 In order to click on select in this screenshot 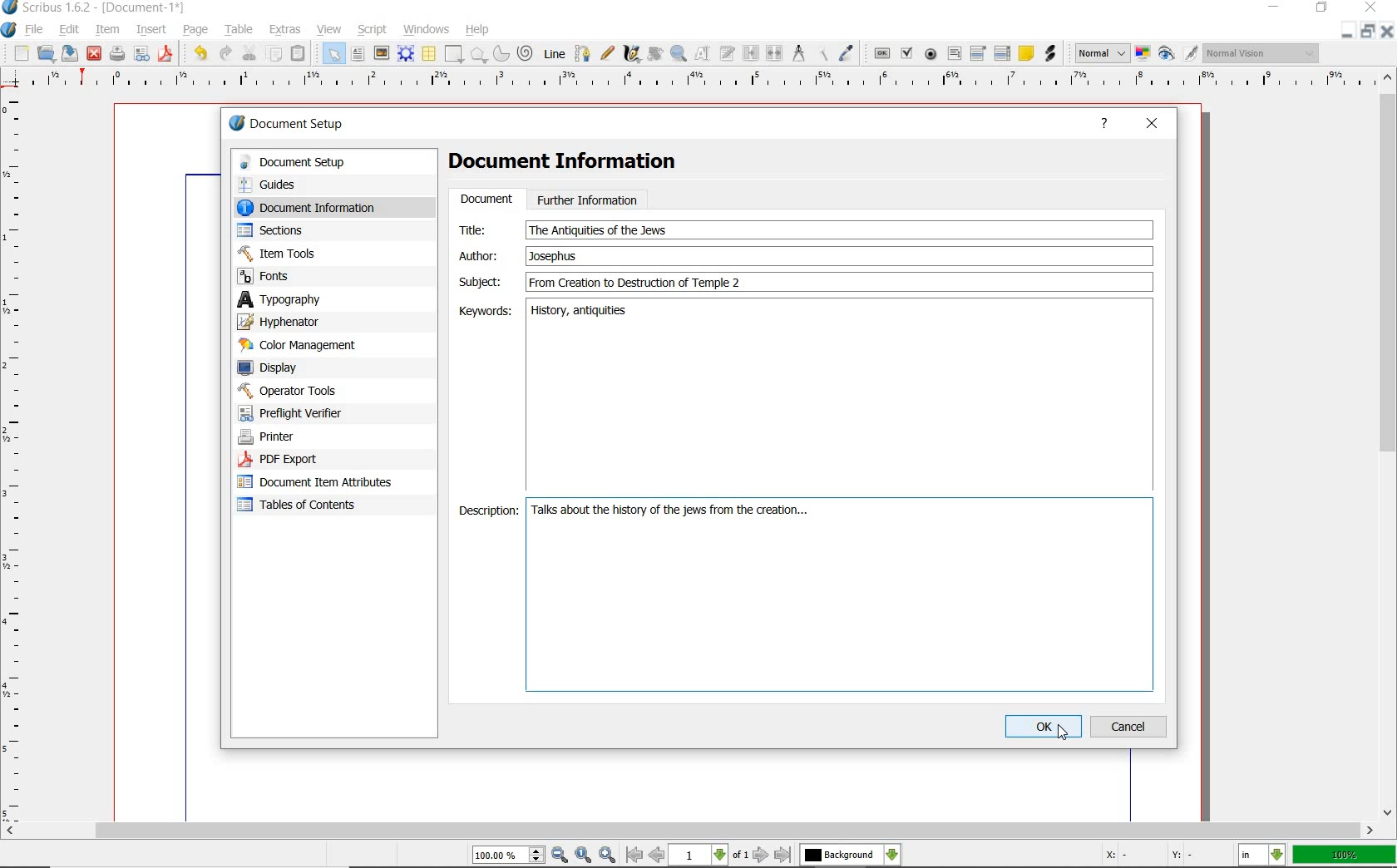, I will do `click(335, 53)`.